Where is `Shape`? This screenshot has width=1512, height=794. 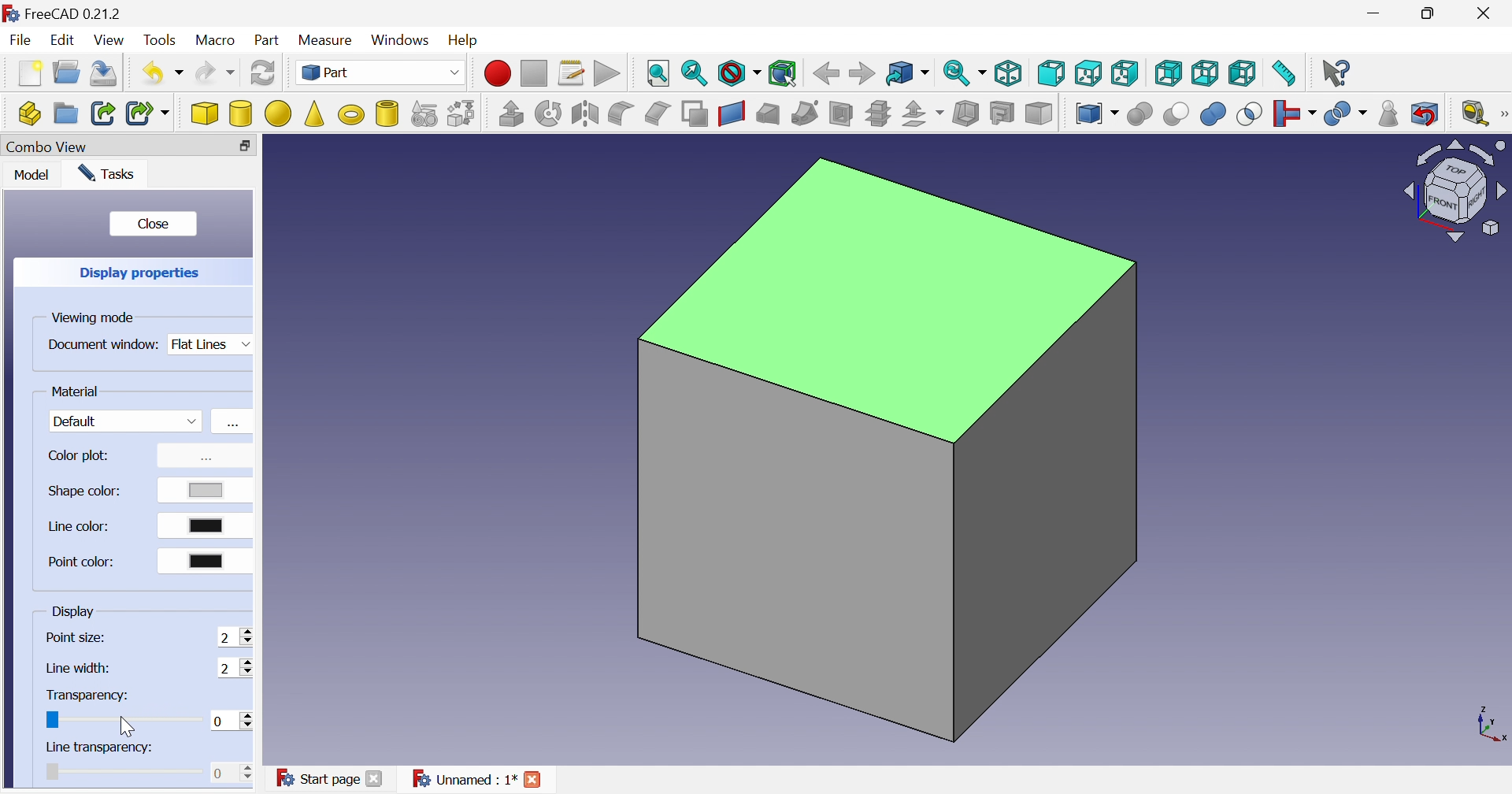
Shape is located at coordinates (1488, 723).